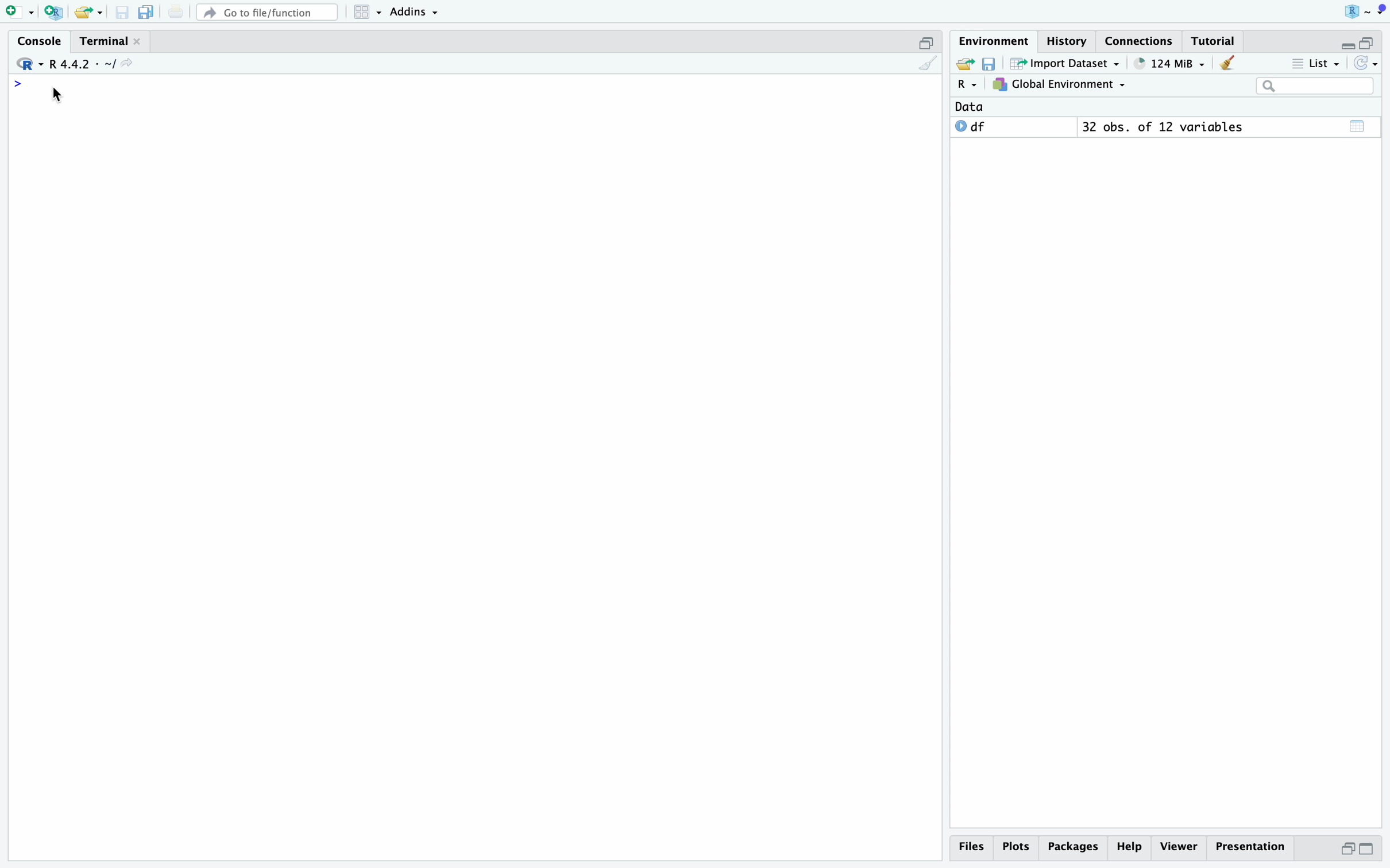 The height and width of the screenshot is (868, 1390). Describe the element at coordinates (1018, 847) in the screenshot. I see `plots` at that location.